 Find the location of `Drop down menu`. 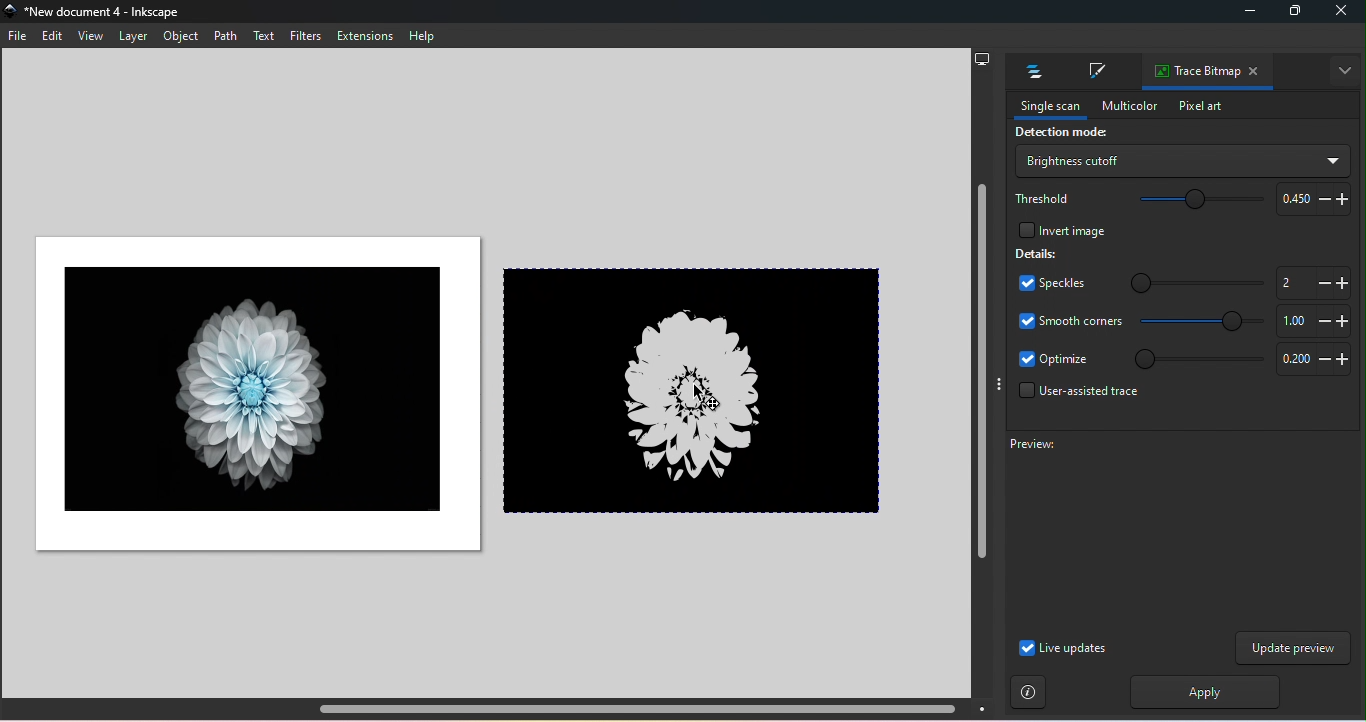

Drop down menu is located at coordinates (1181, 161).